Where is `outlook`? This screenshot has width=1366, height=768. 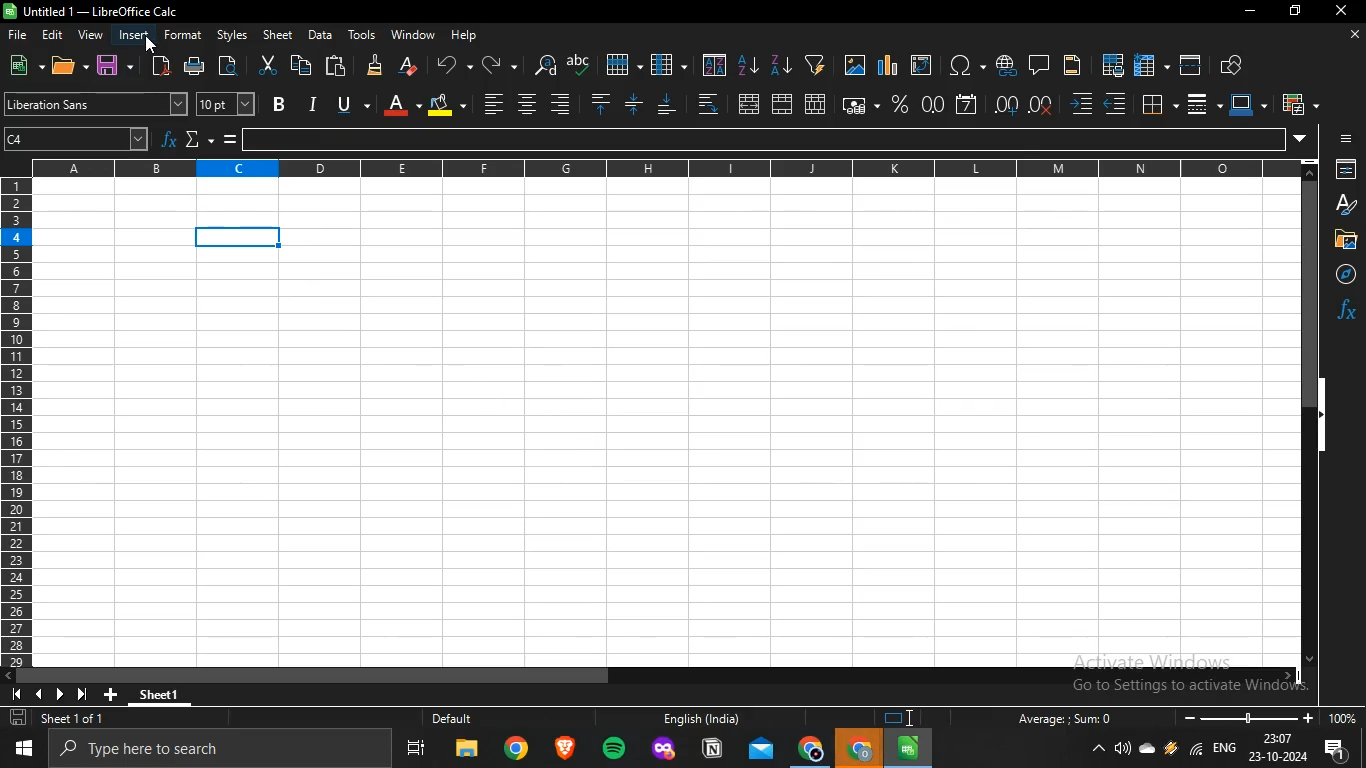 outlook is located at coordinates (762, 750).